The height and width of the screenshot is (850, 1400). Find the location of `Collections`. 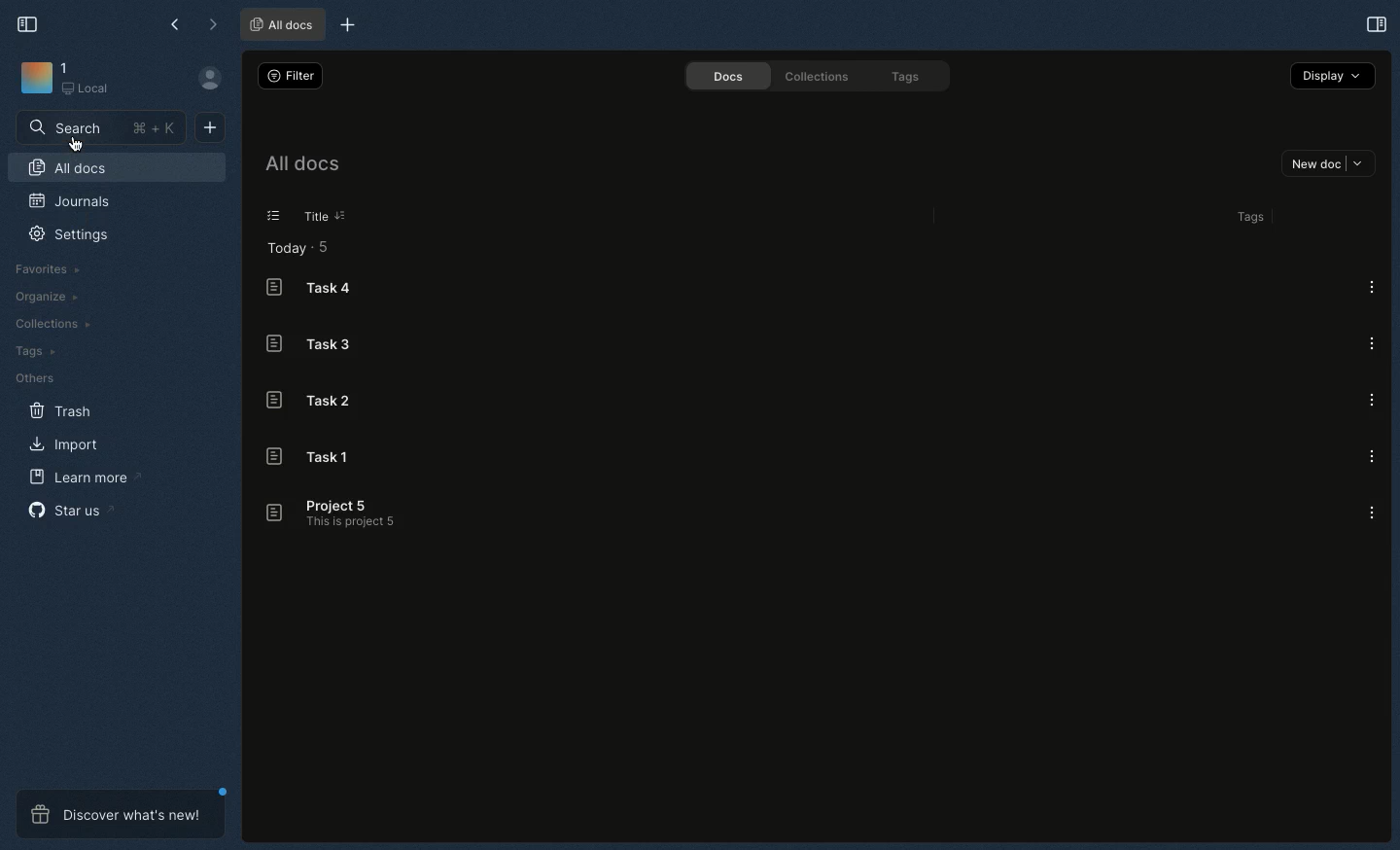

Collections is located at coordinates (51, 324).